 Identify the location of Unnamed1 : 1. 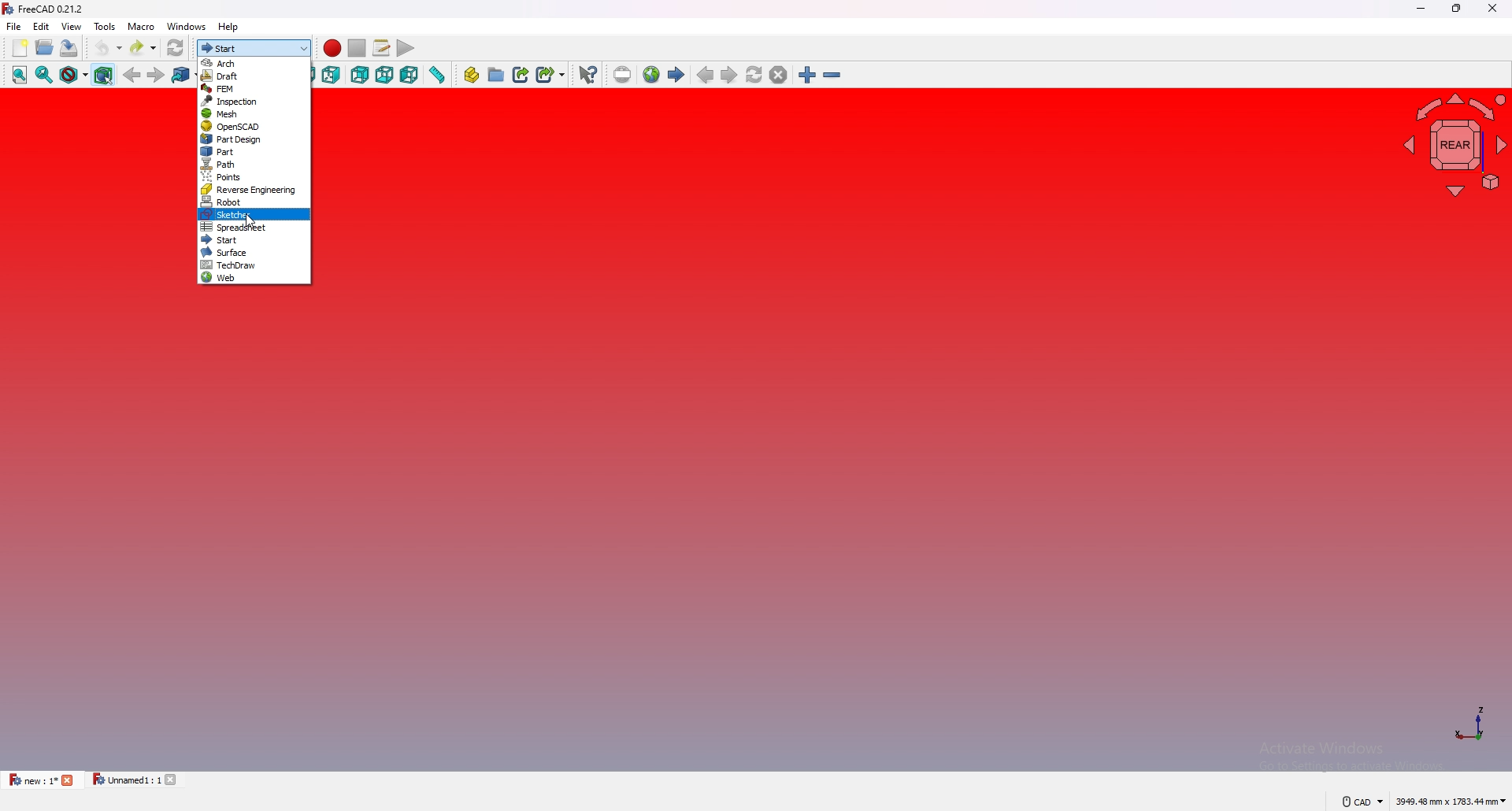
(125, 780).